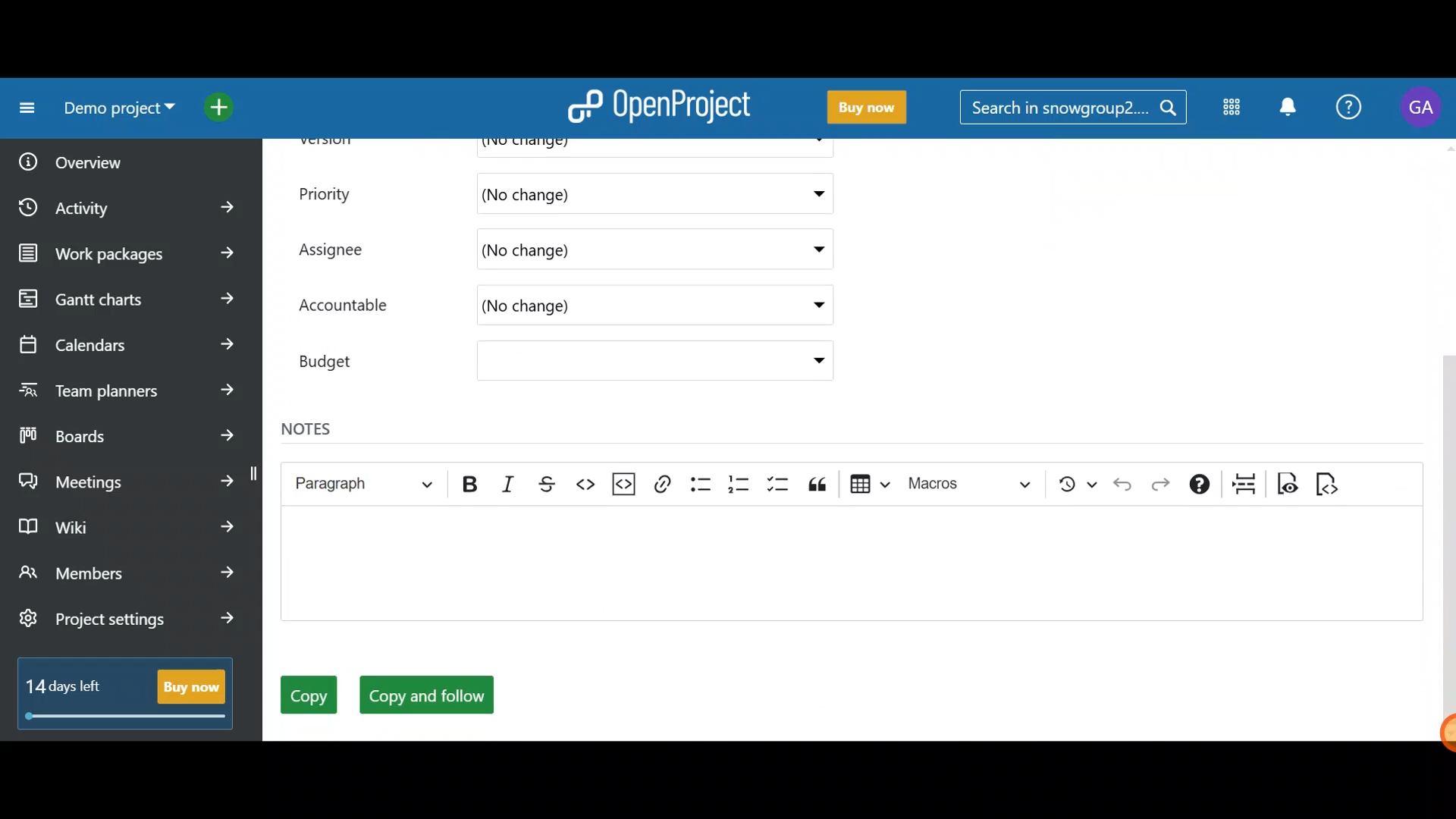 The width and height of the screenshot is (1456, 819). I want to click on Undo, so click(1123, 486).